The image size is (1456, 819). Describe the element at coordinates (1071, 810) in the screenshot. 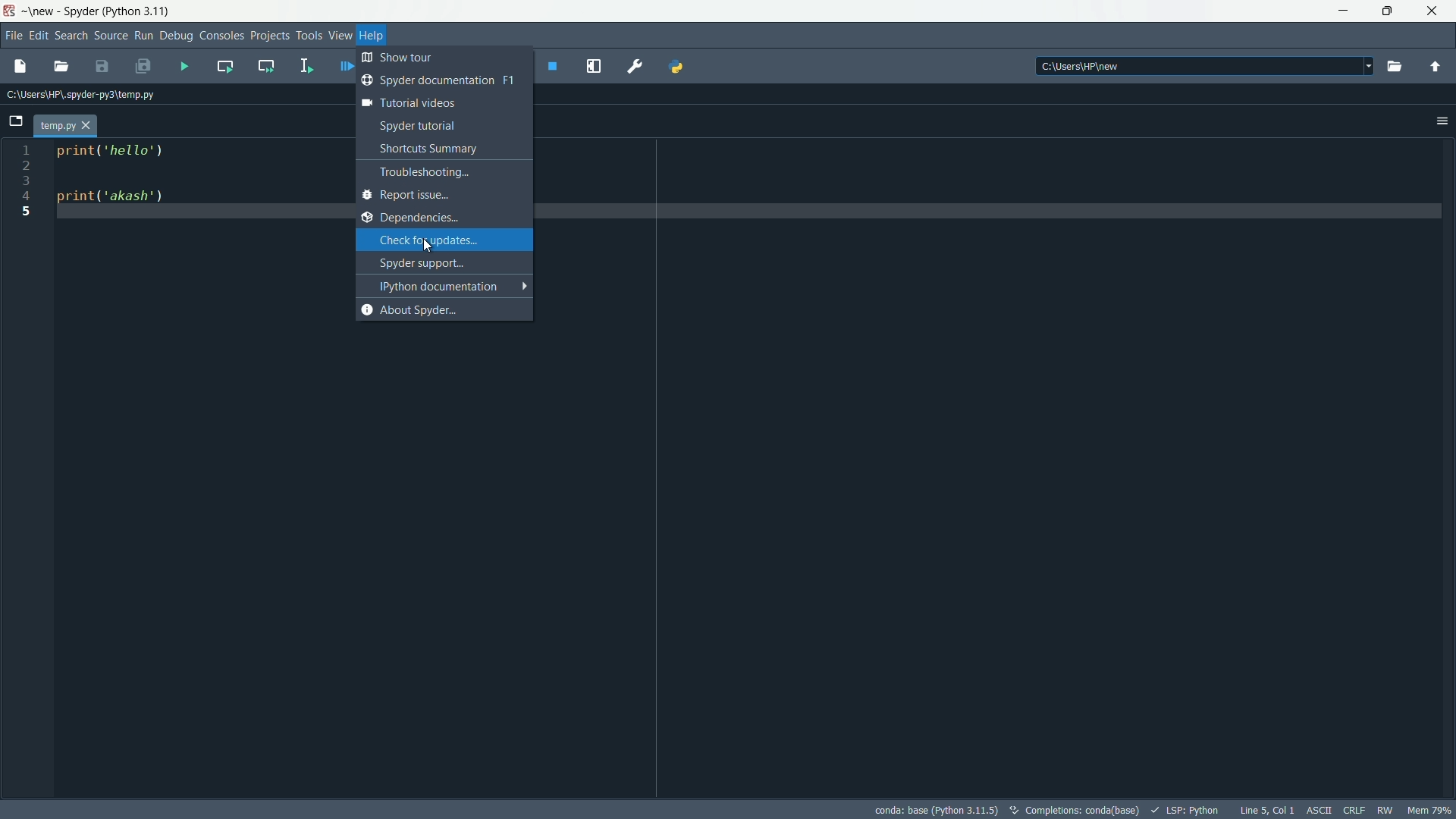

I see `completions:conda` at that location.